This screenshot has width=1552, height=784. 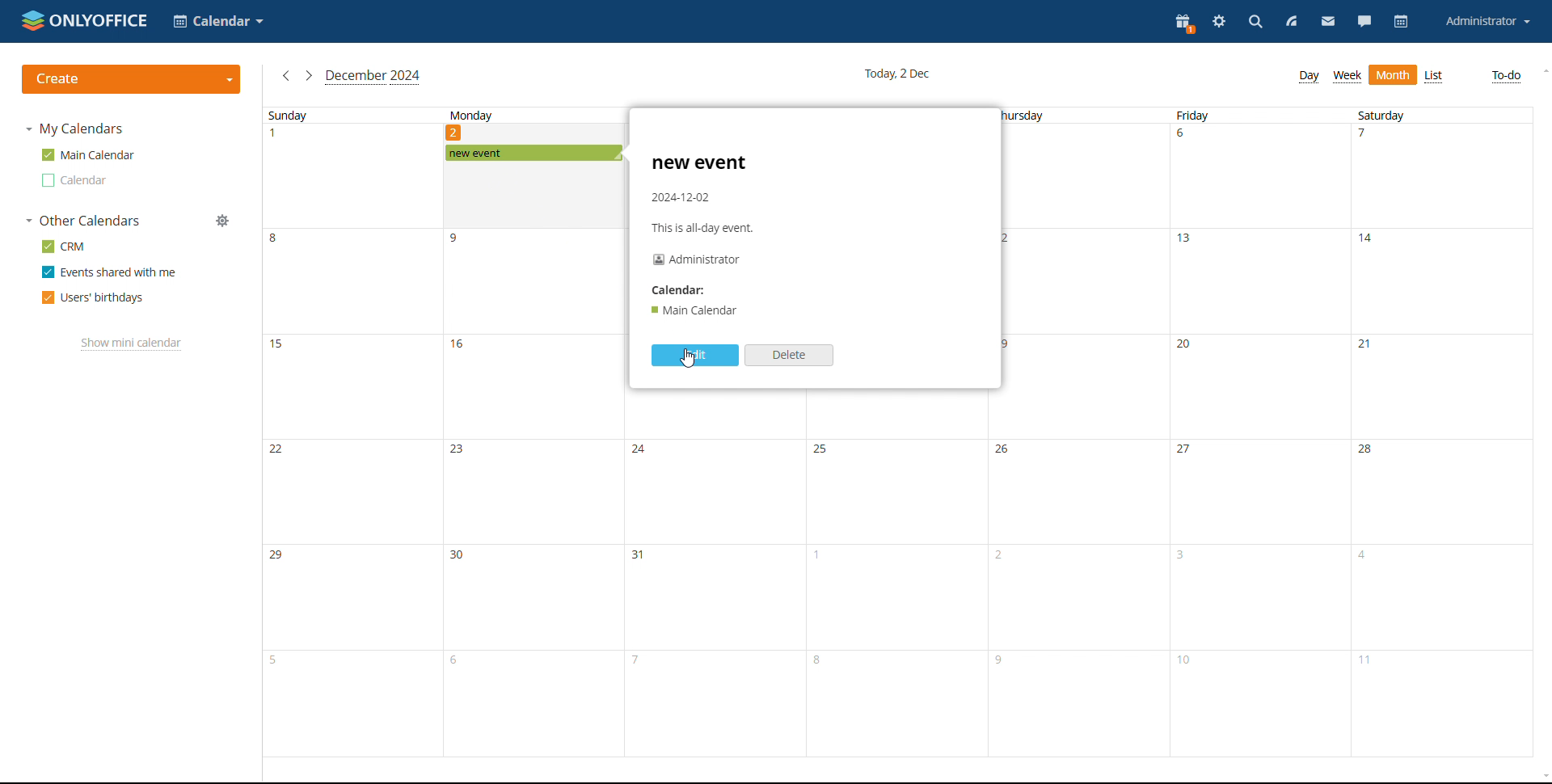 I want to click on other calendar, so click(x=72, y=180).